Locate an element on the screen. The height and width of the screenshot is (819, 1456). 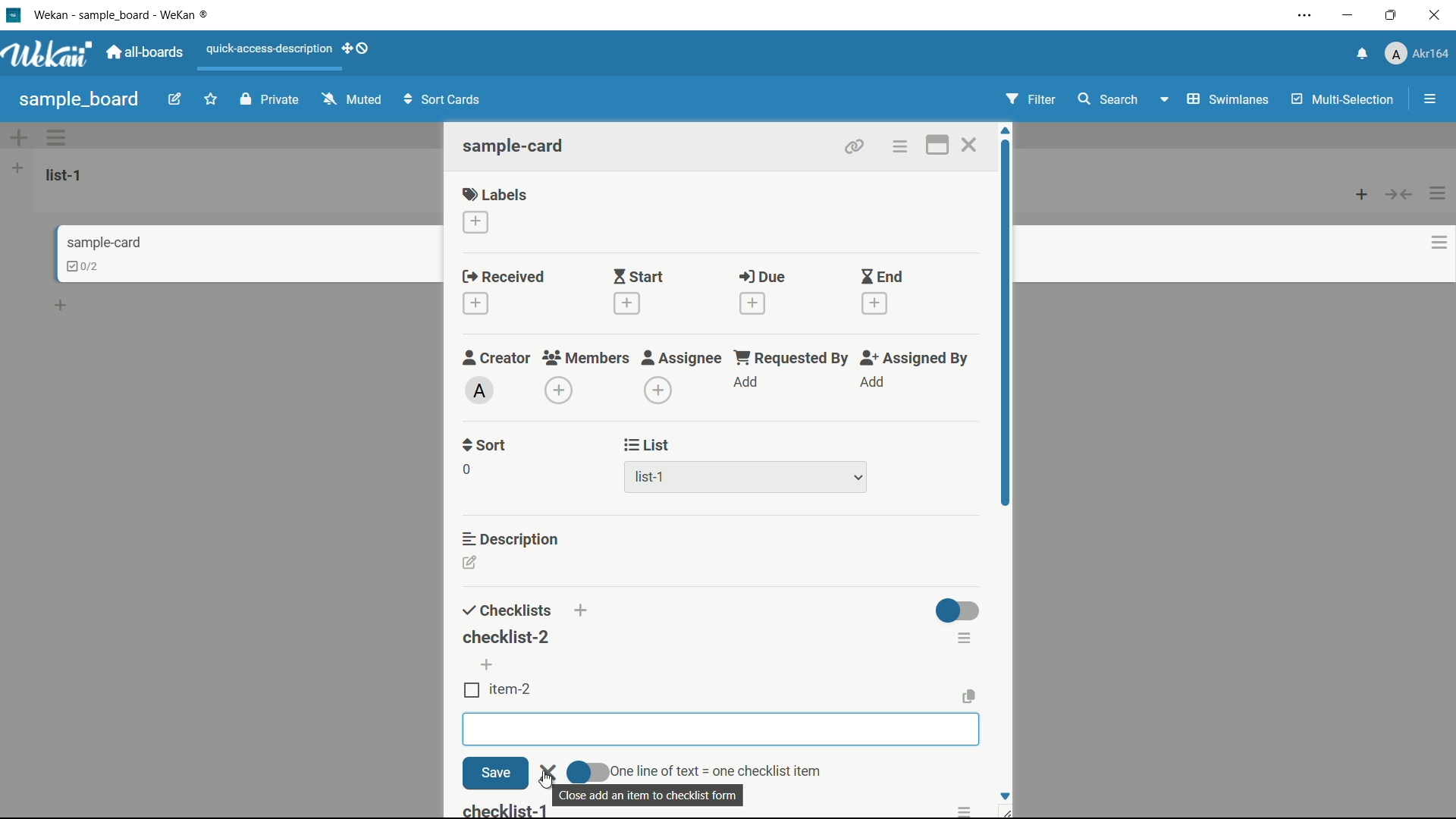
received is located at coordinates (504, 278).